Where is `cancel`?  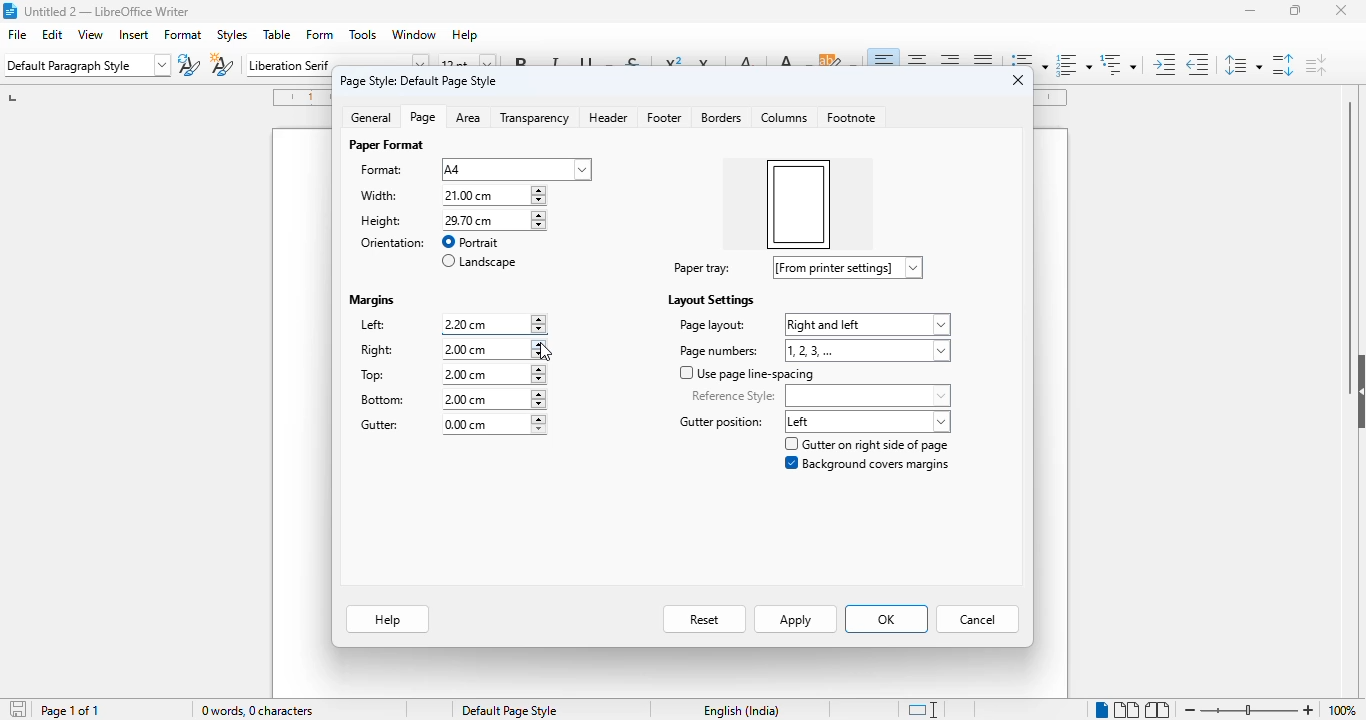 cancel is located at coordinates (977, 620).